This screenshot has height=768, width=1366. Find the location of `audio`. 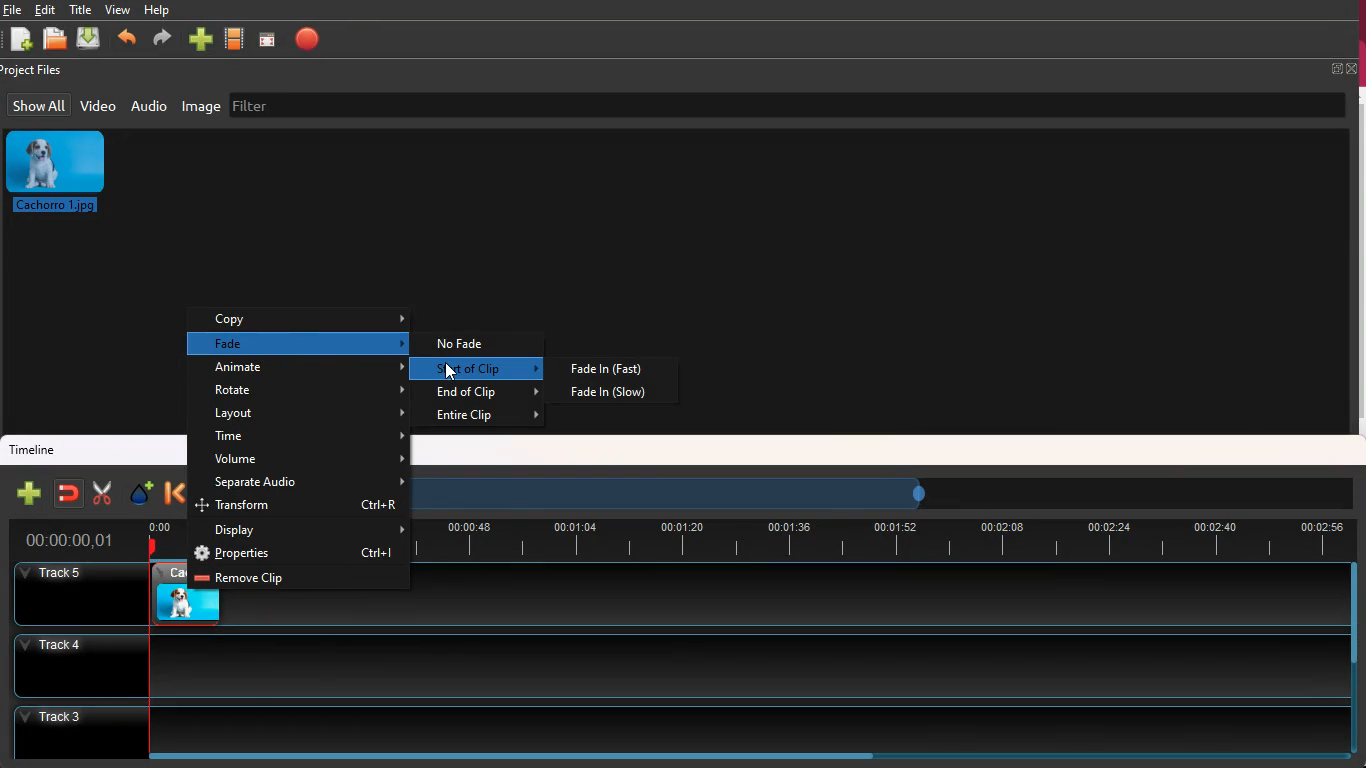

audio is located at coordinates (151, 108).